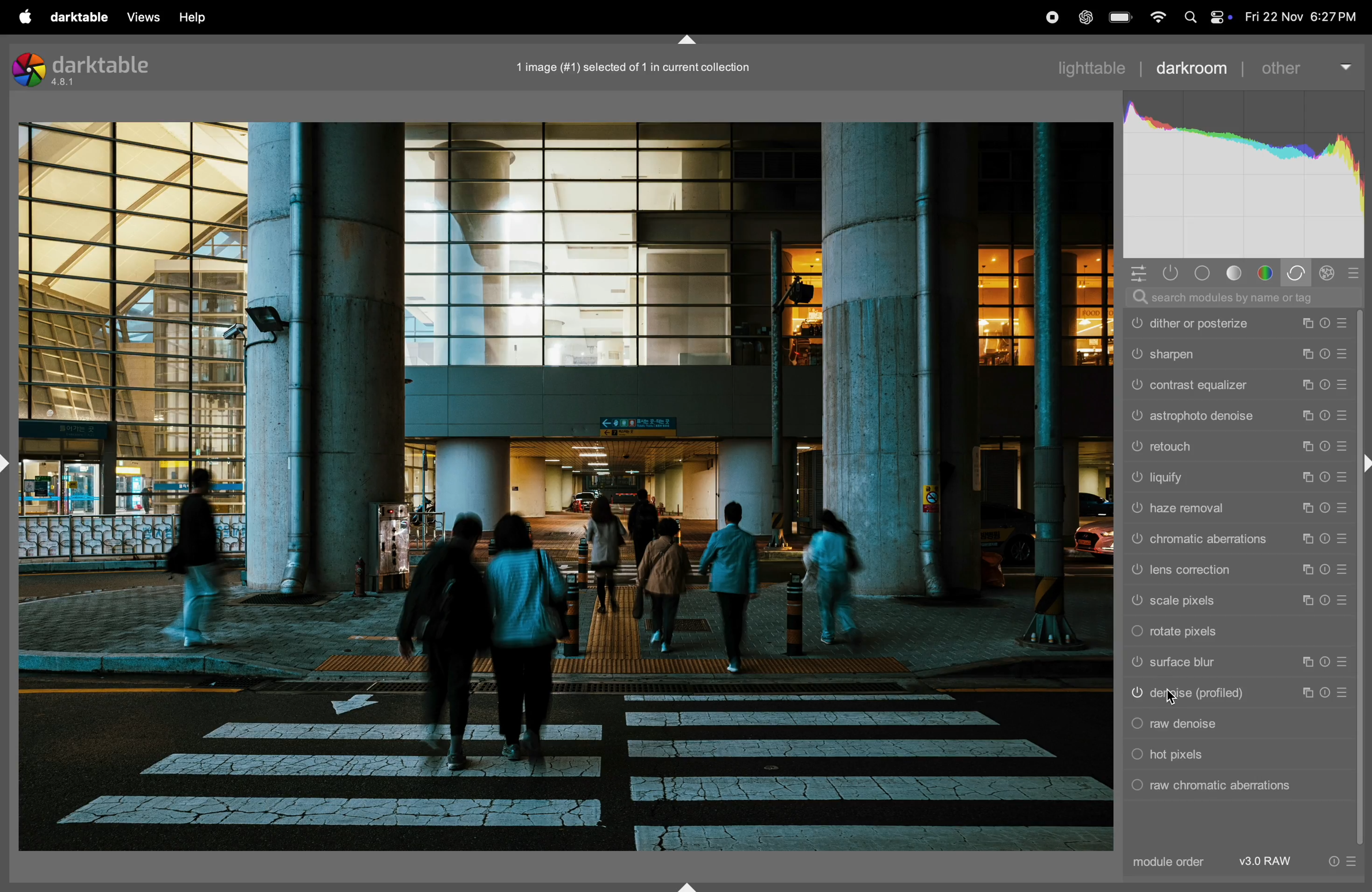  I want to click on hazel removal, so click(1235, 507).